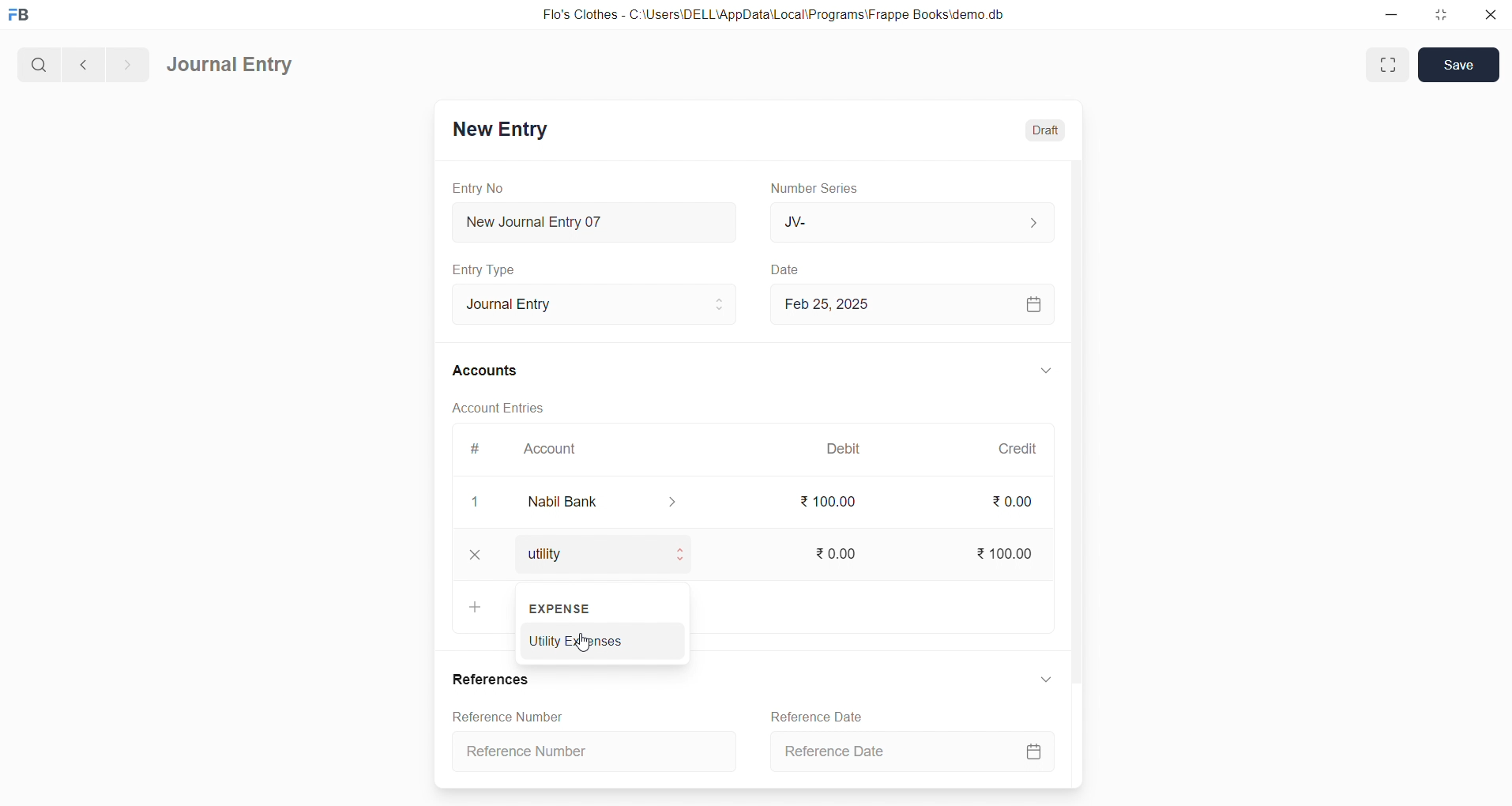 The height and width of the screenshot is (806, 1512). I want to click on Account, so click(553, 450).